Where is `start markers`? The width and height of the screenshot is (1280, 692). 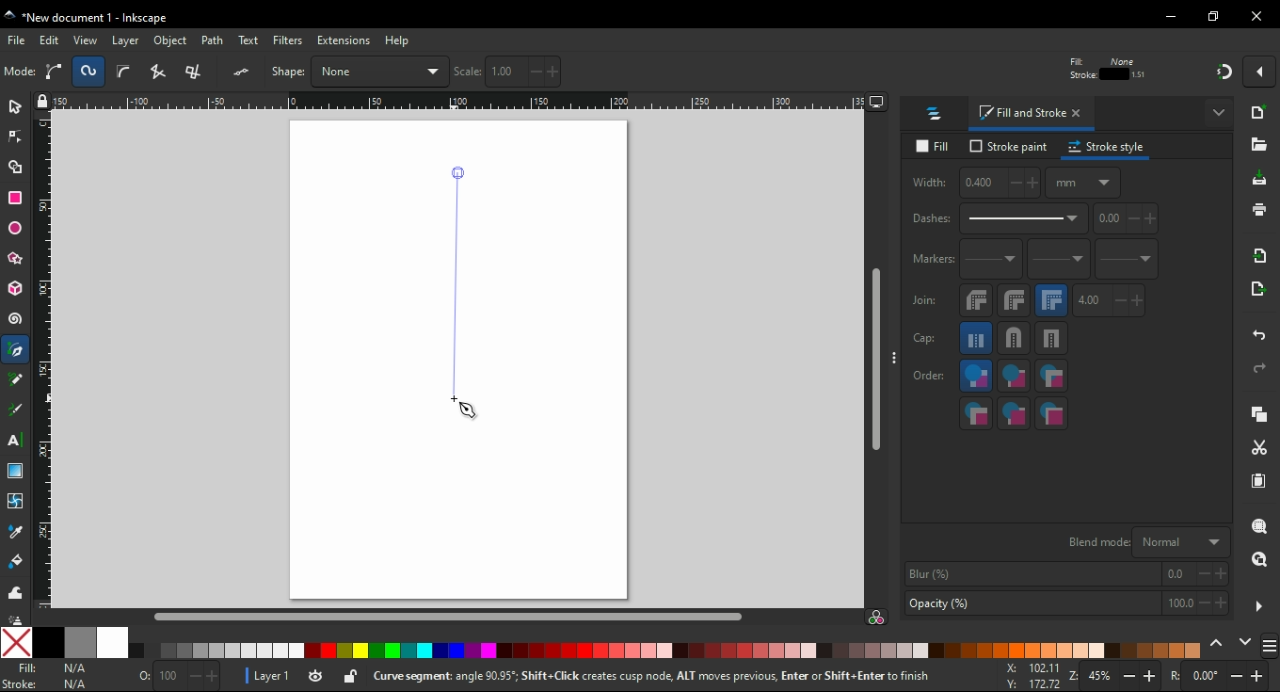
start markers is located at coordinates (991, 260).